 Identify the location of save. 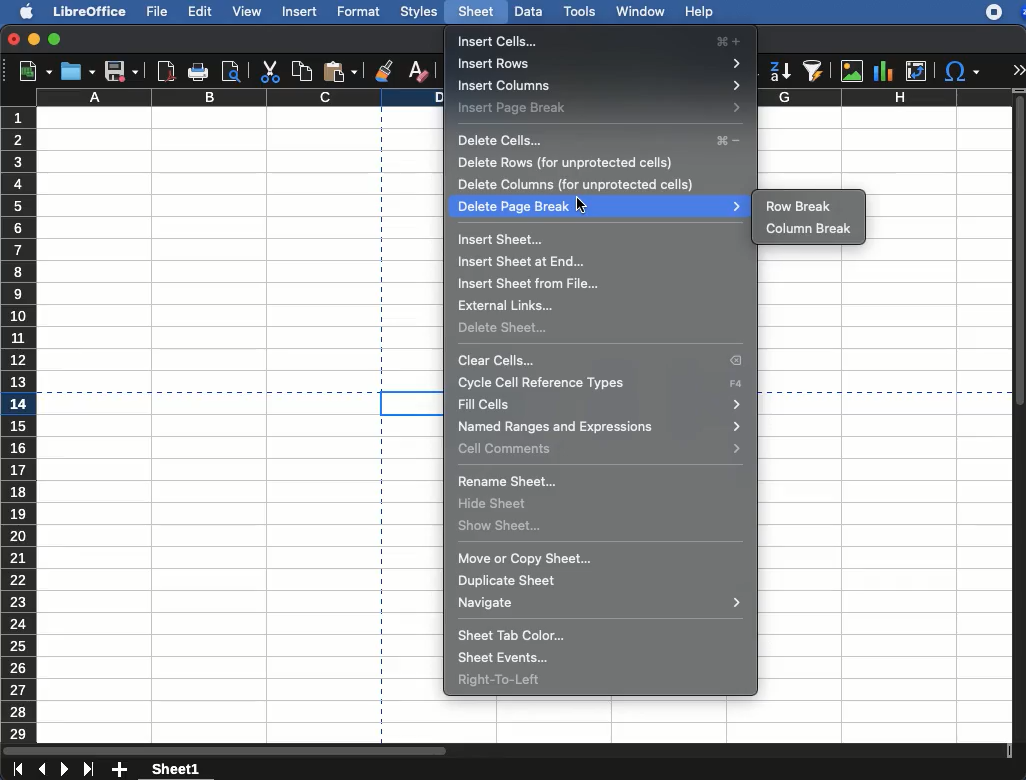
(122, 71).